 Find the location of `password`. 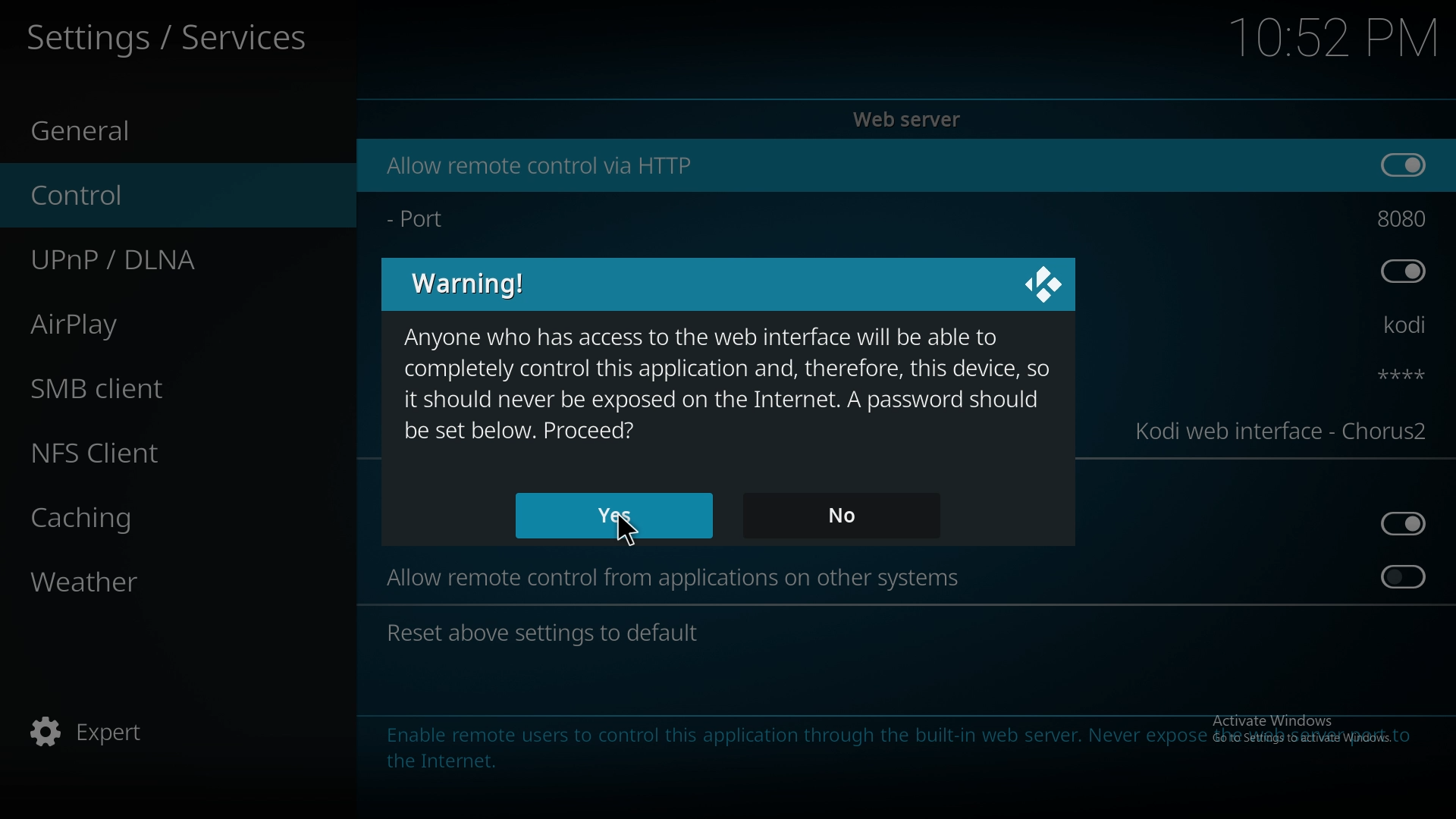

password is located at coordinates (1389, 374).